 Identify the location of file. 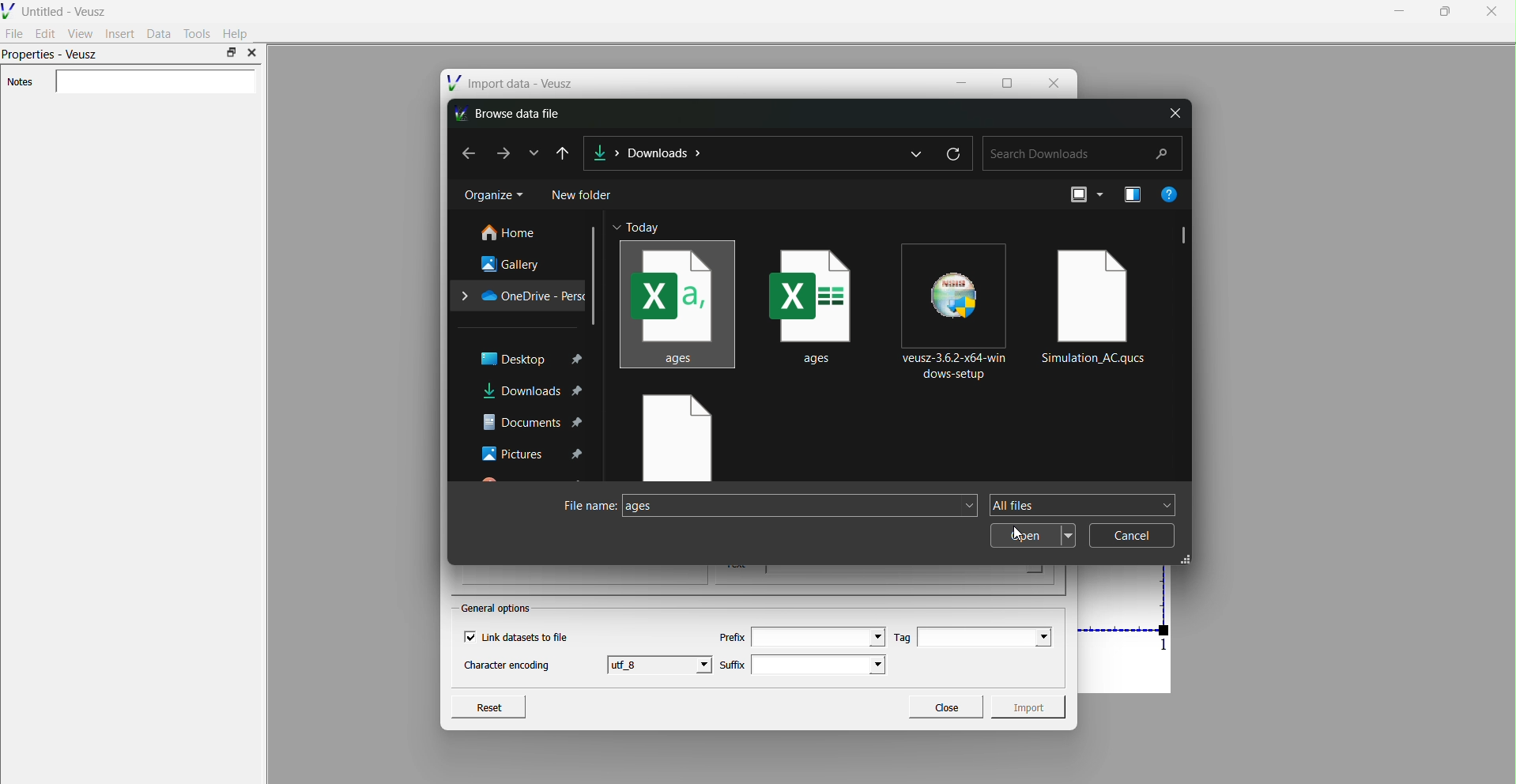
(675, 439).